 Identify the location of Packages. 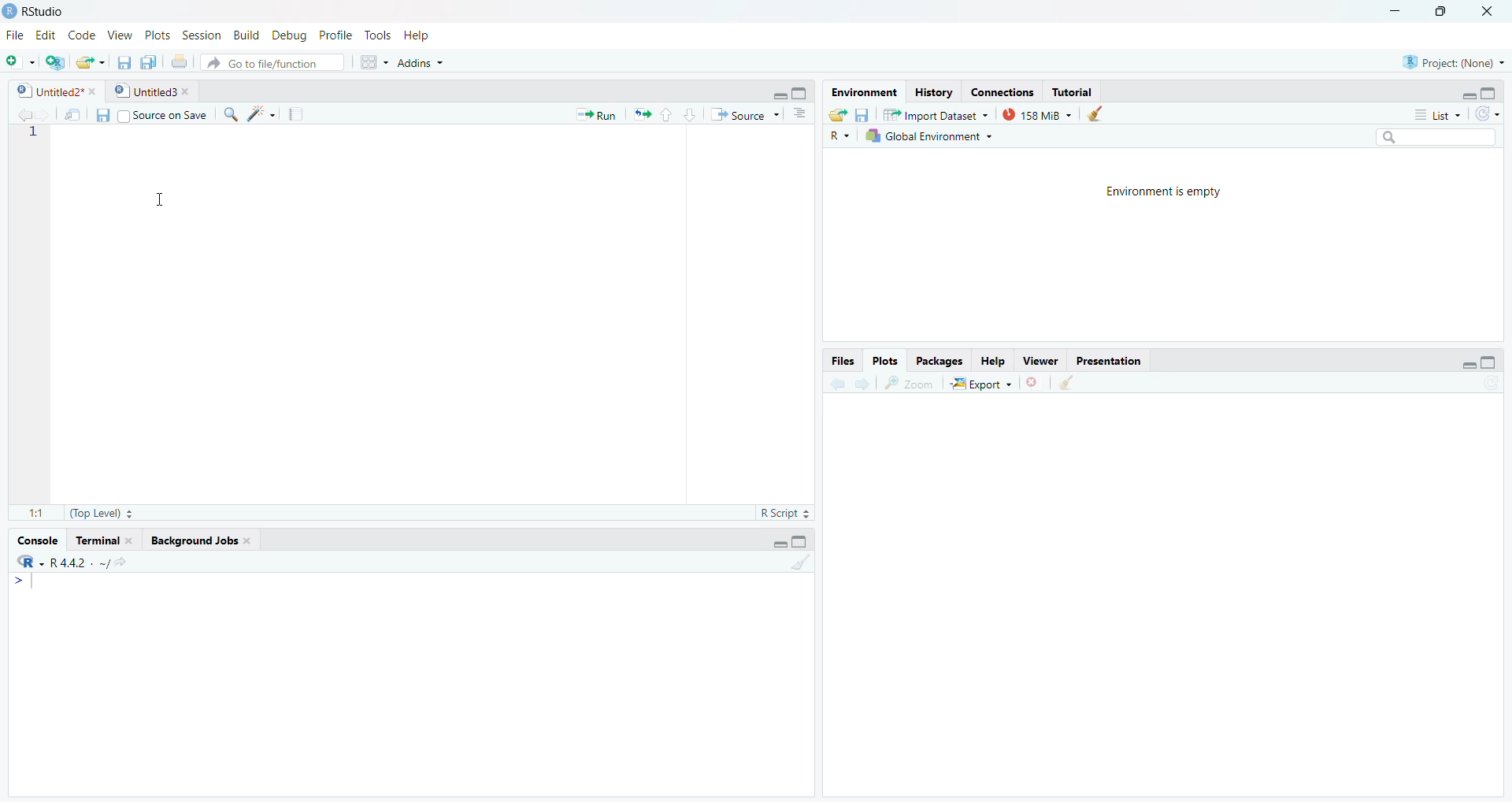
(942, 360).